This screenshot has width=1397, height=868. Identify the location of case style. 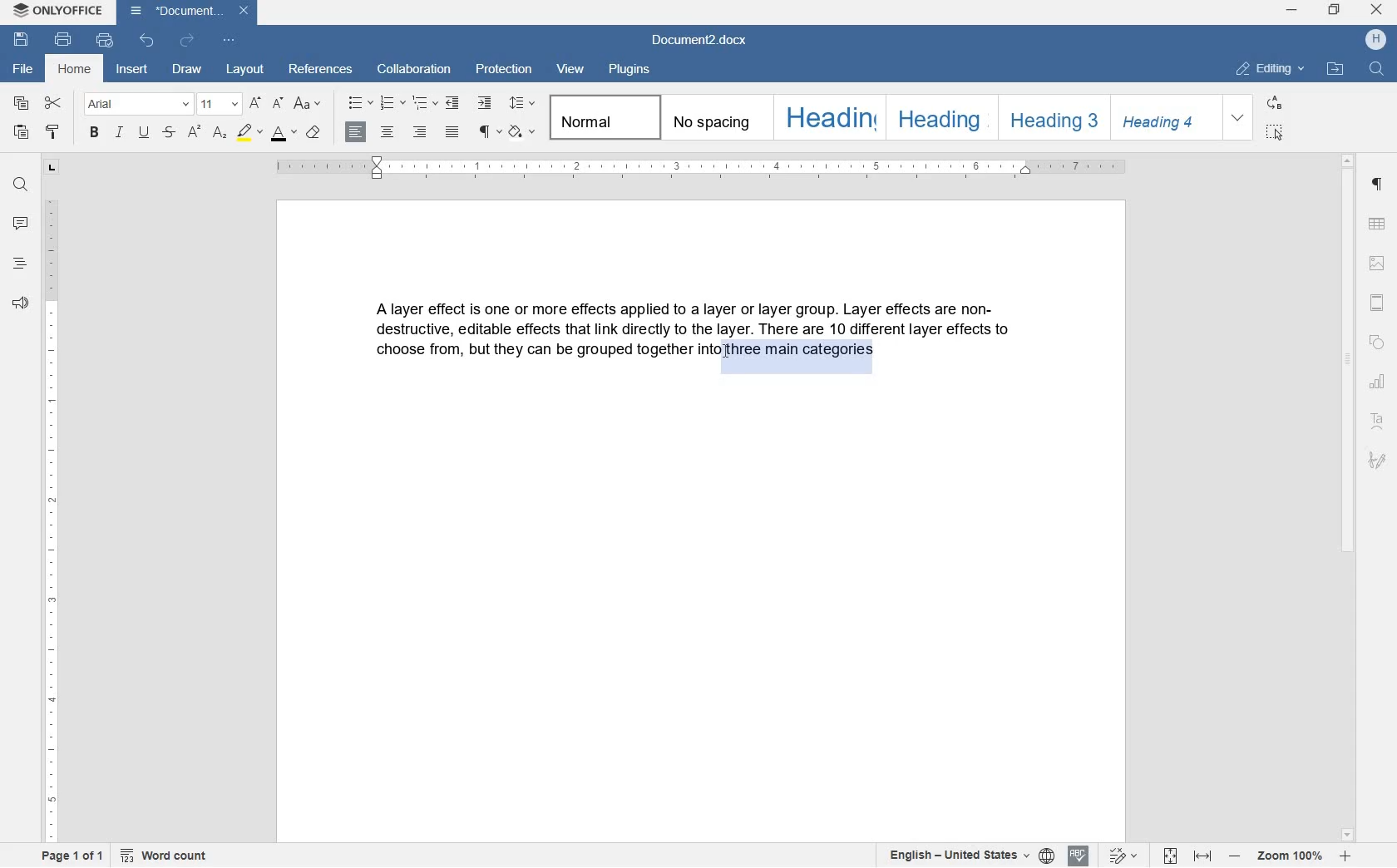
(313, 131).